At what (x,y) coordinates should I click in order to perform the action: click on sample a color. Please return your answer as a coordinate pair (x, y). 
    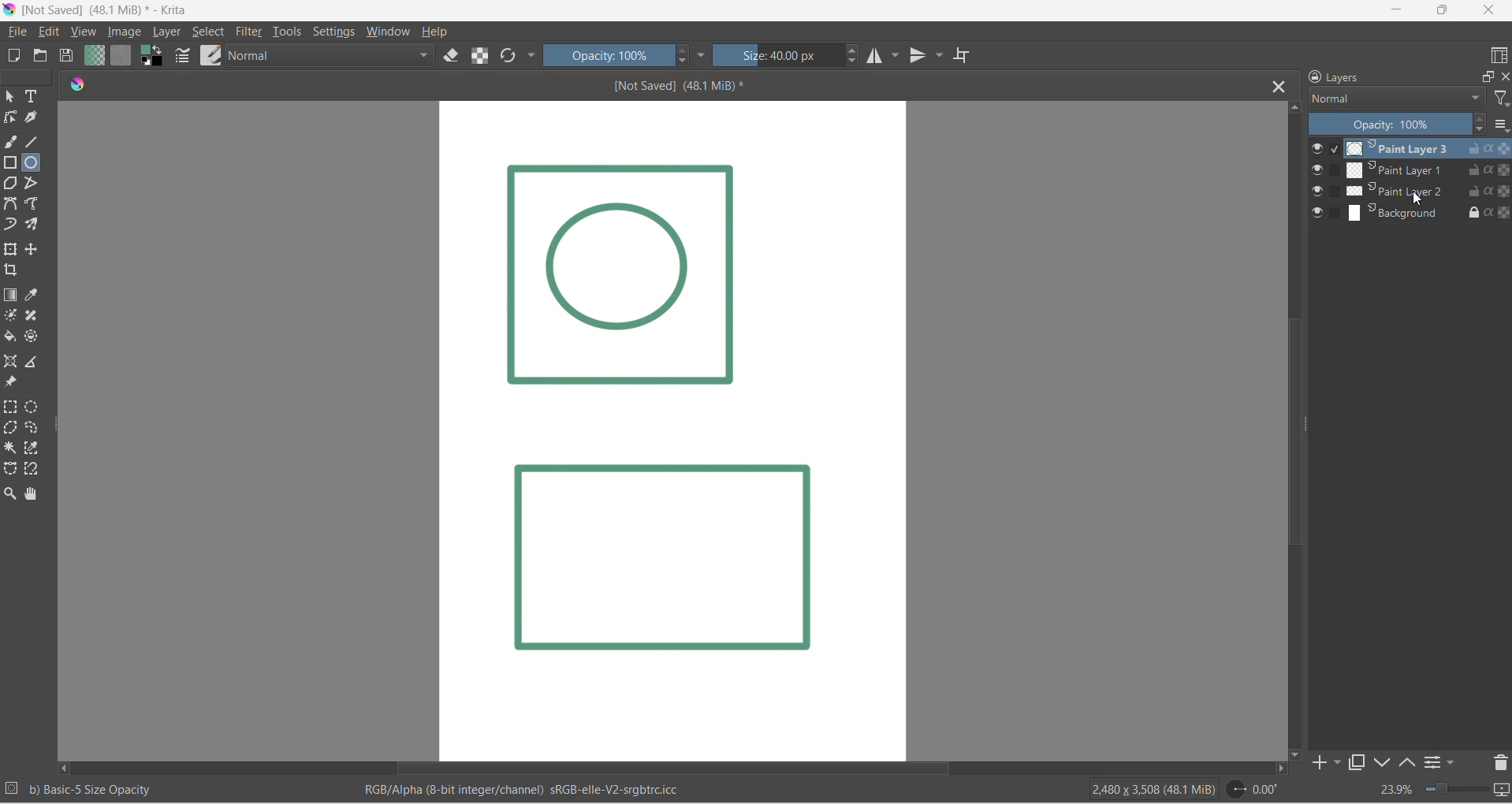
    Looking at the image, I should click on (39, 295).